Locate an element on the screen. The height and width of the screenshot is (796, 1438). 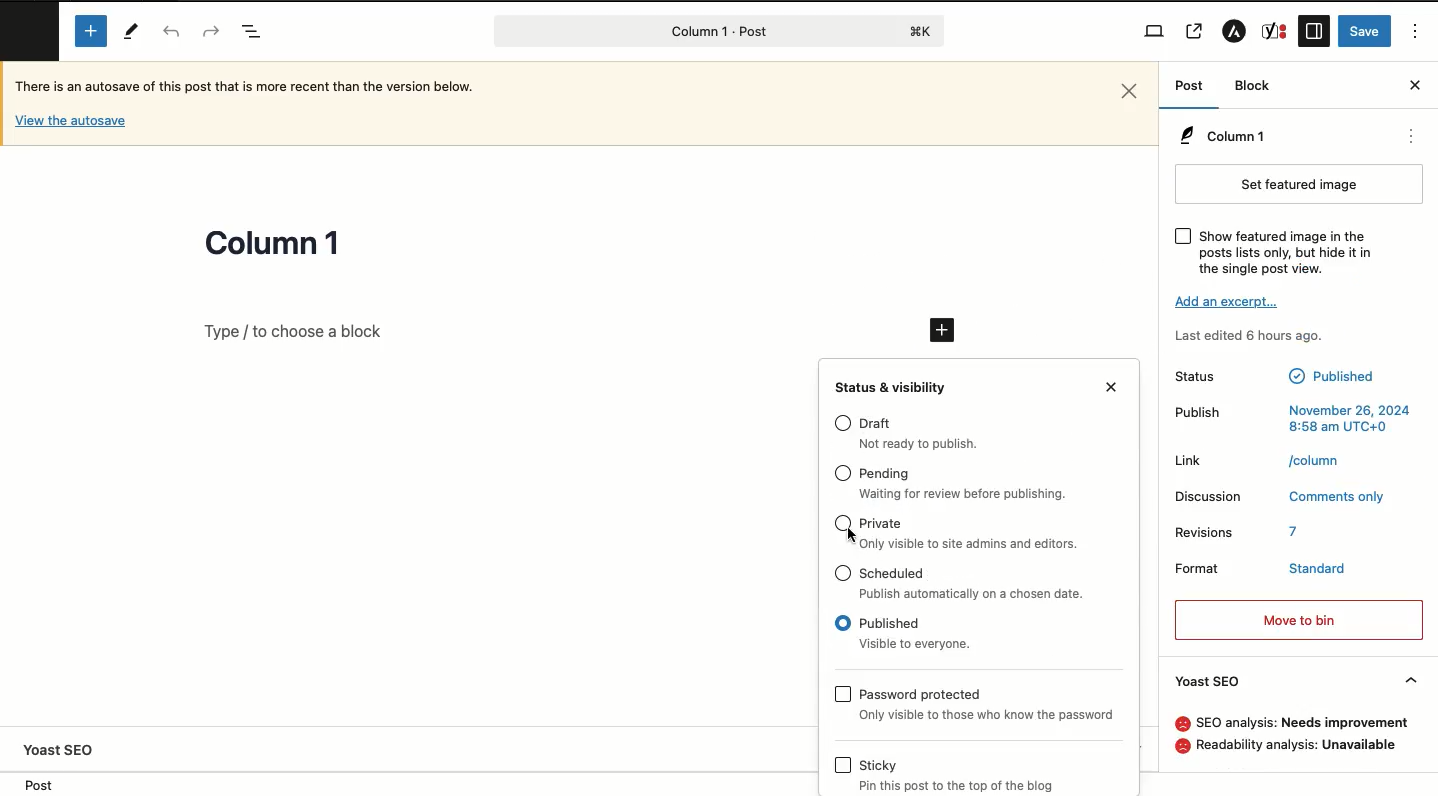
Redo is located at coordinates (208, 30).